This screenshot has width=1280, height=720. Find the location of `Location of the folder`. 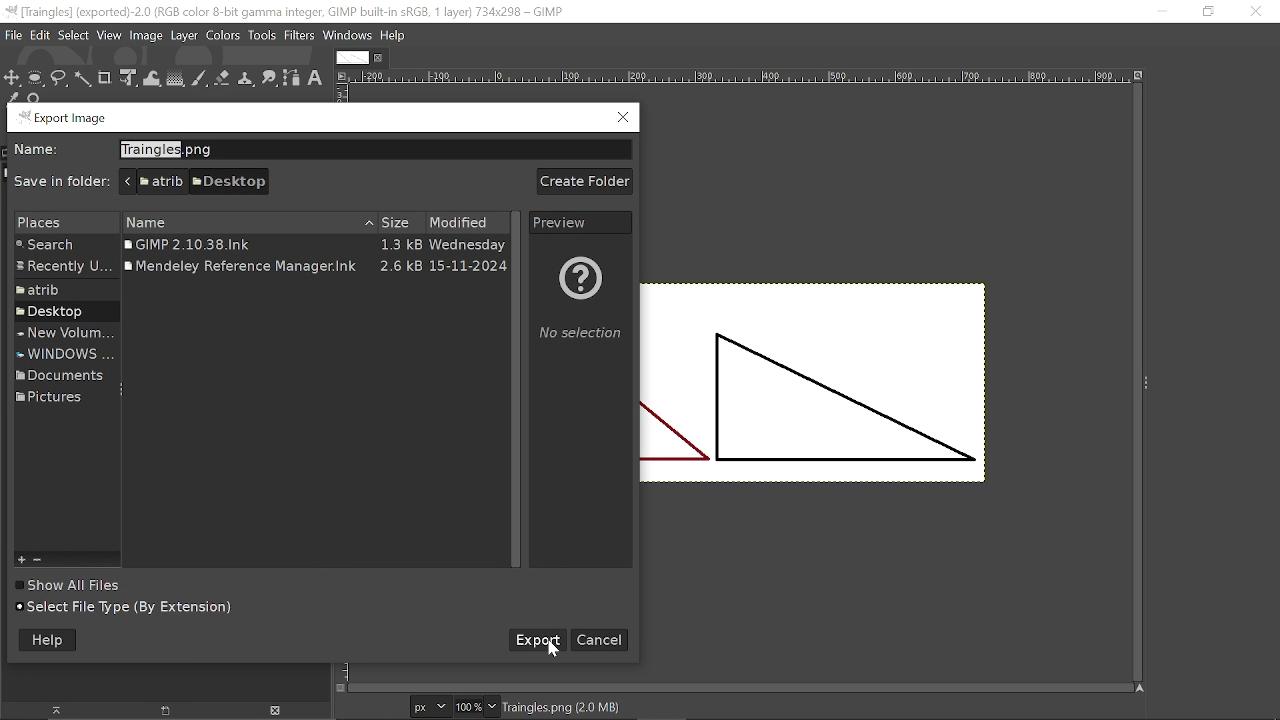

Location of the folder is located at coordinates (193, 181).